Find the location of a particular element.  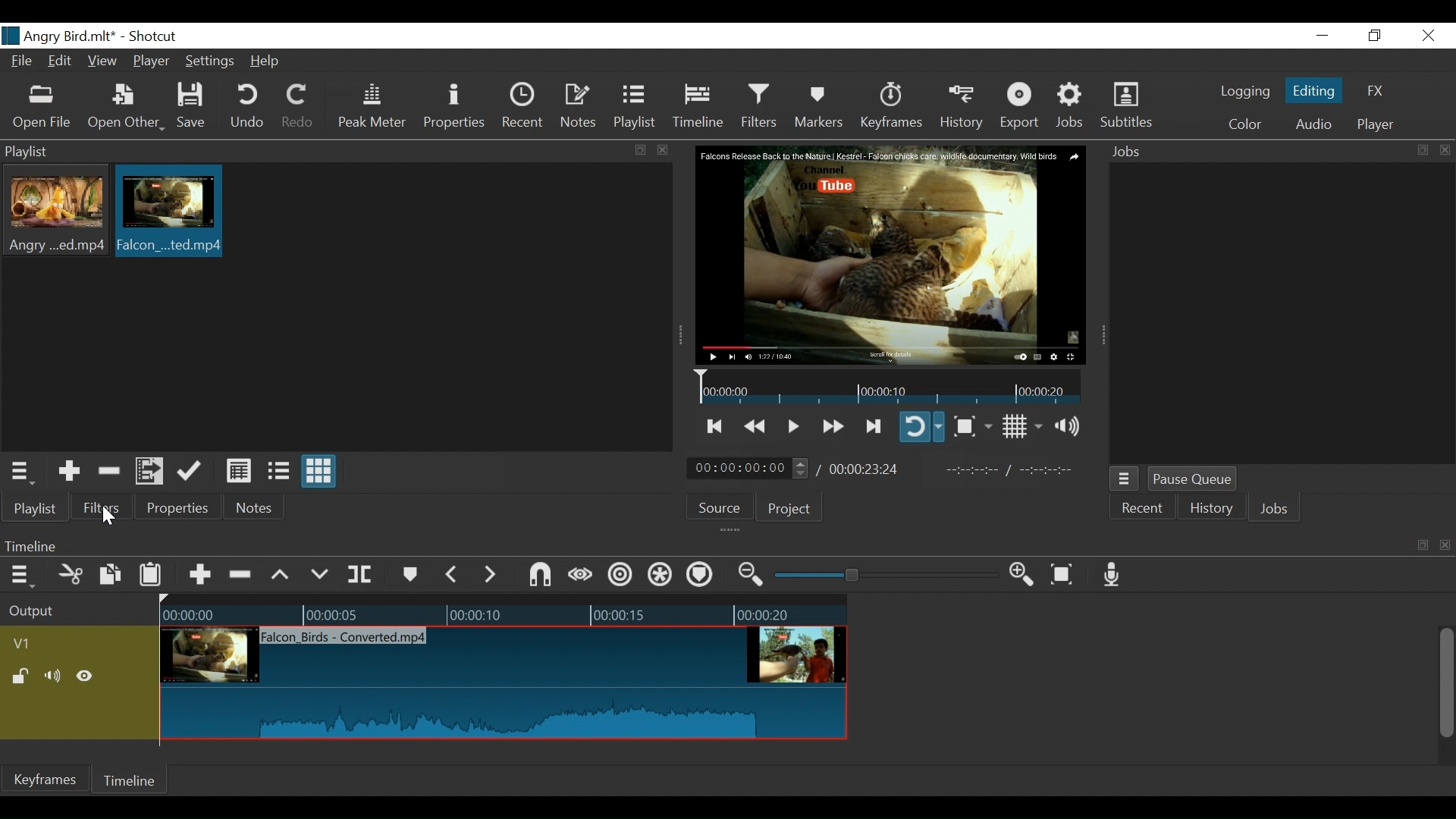

Jobs Menu is located at coordinates (1122, 480).